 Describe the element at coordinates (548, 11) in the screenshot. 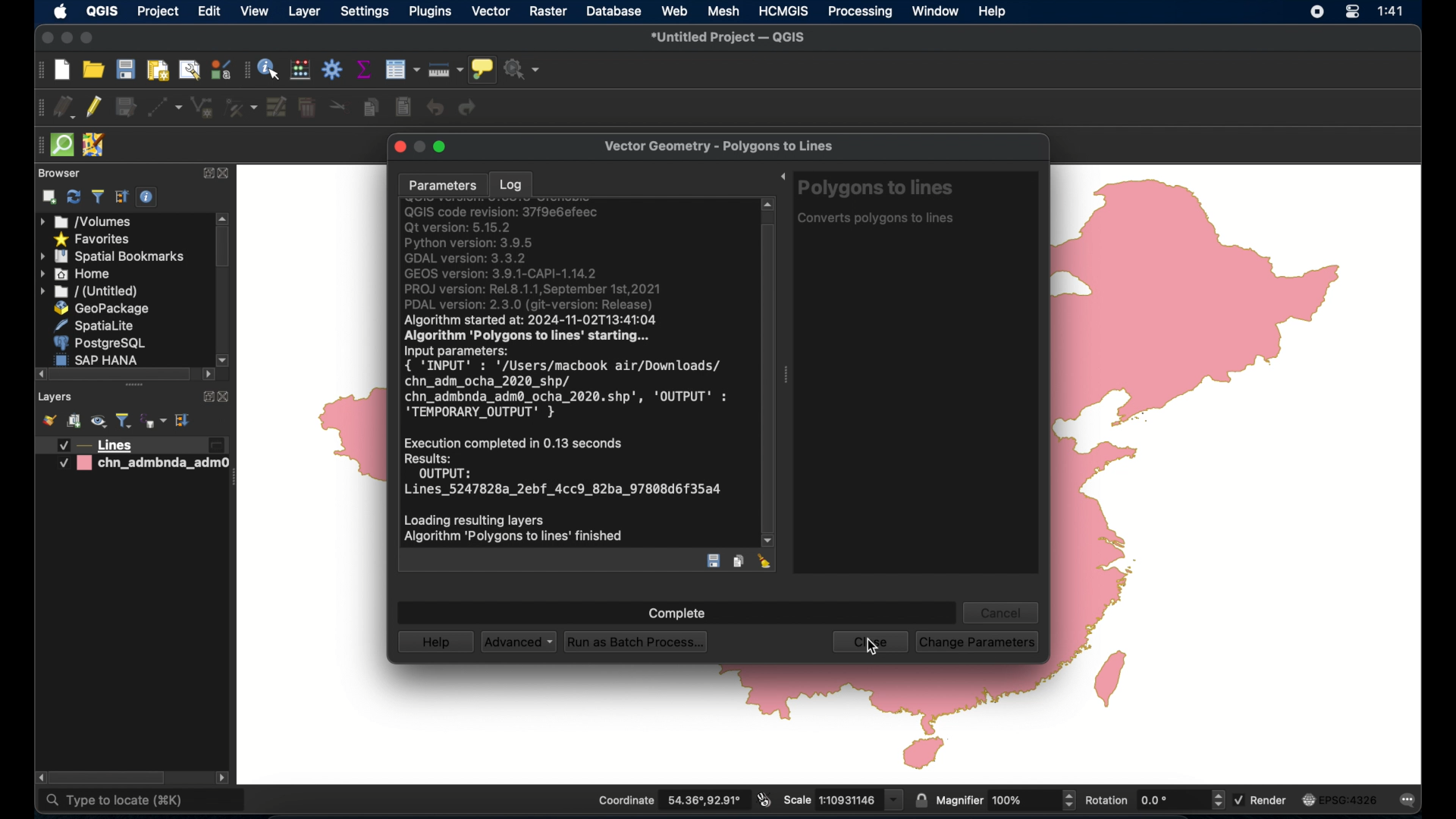

I see `raster` at that location.